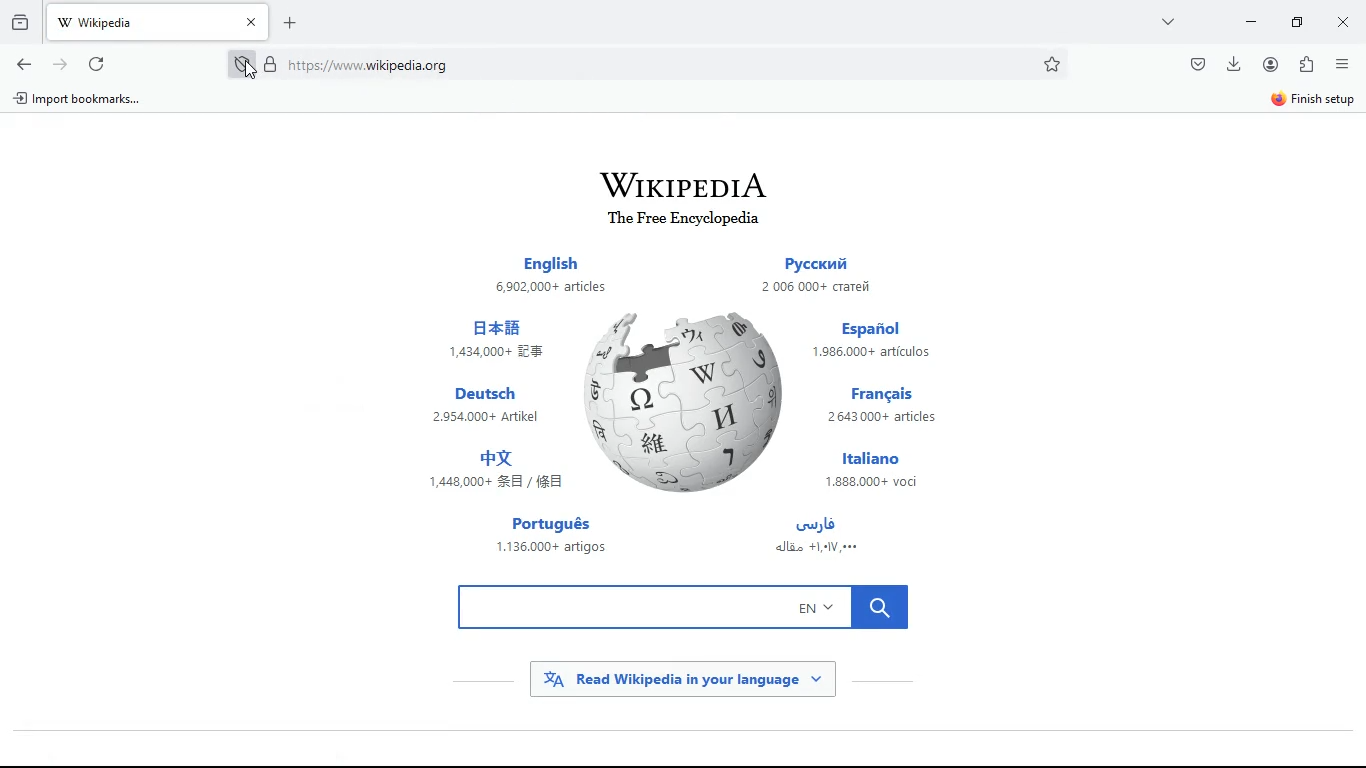 Image resolution: width=1366 pixels, height=768 pixels. I want to click on español, so click(878, 341).